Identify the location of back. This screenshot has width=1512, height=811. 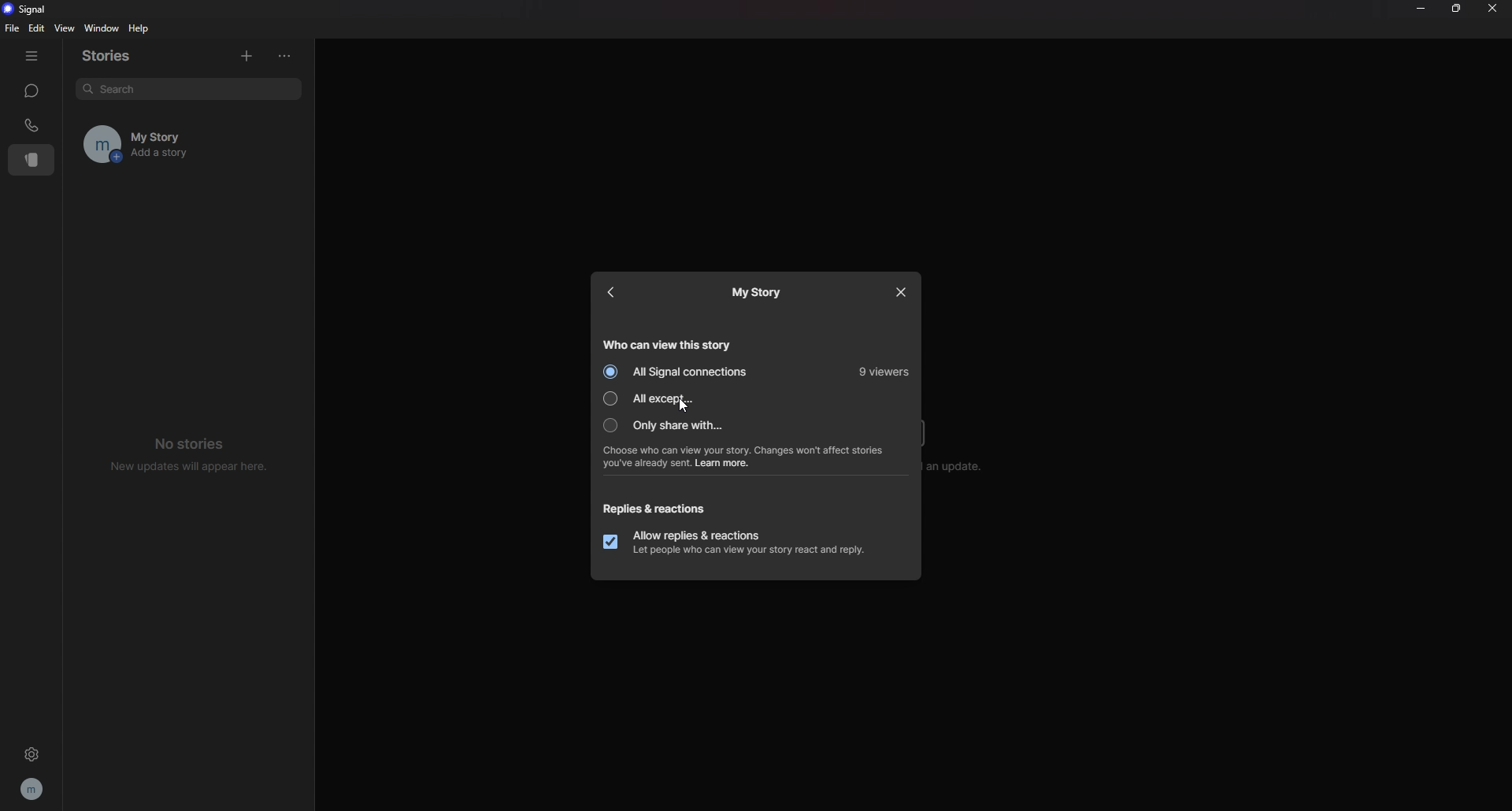
(615, 292).